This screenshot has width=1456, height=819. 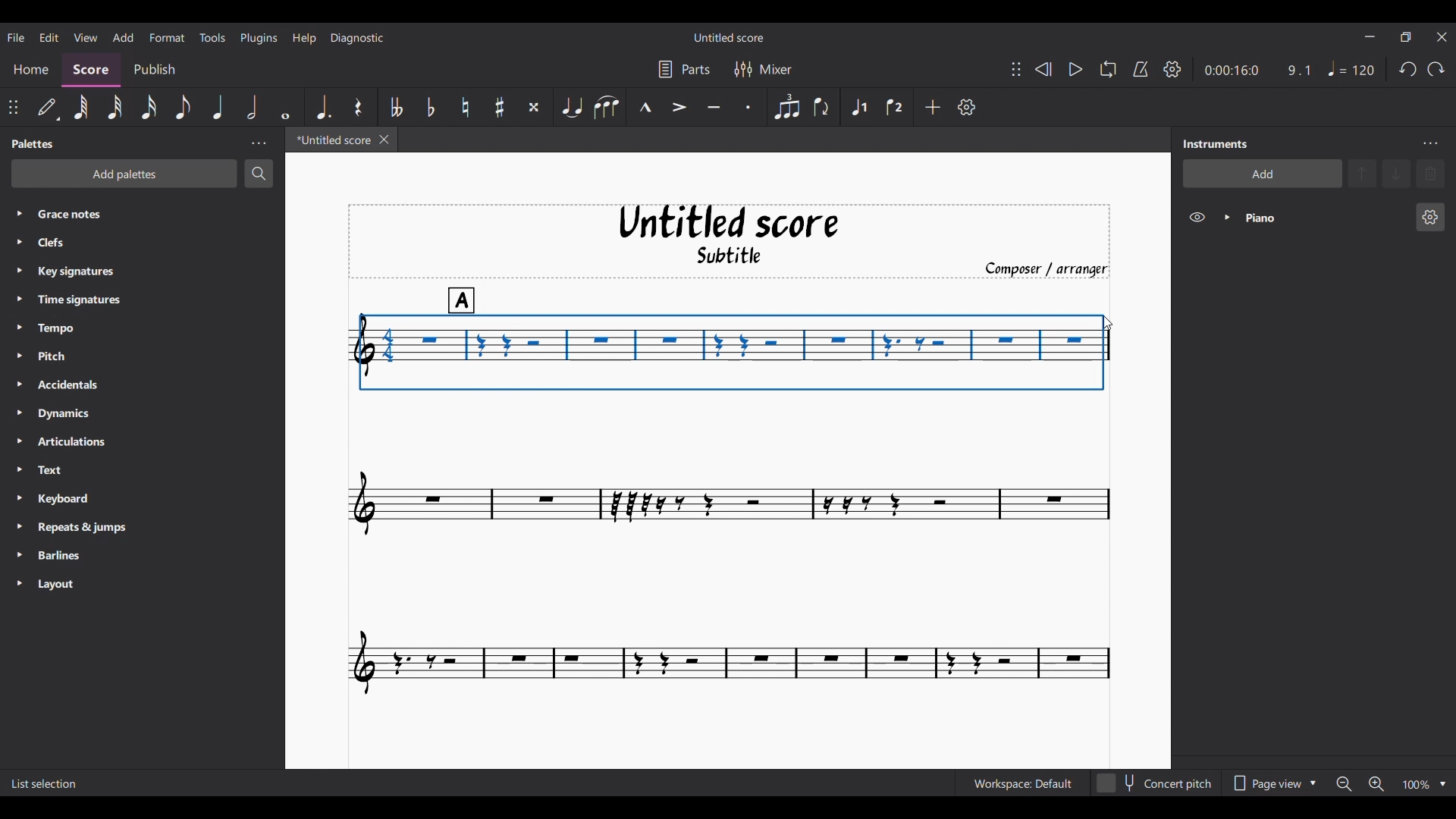 I want to click on Keyboard, so click(x=82, y=500).